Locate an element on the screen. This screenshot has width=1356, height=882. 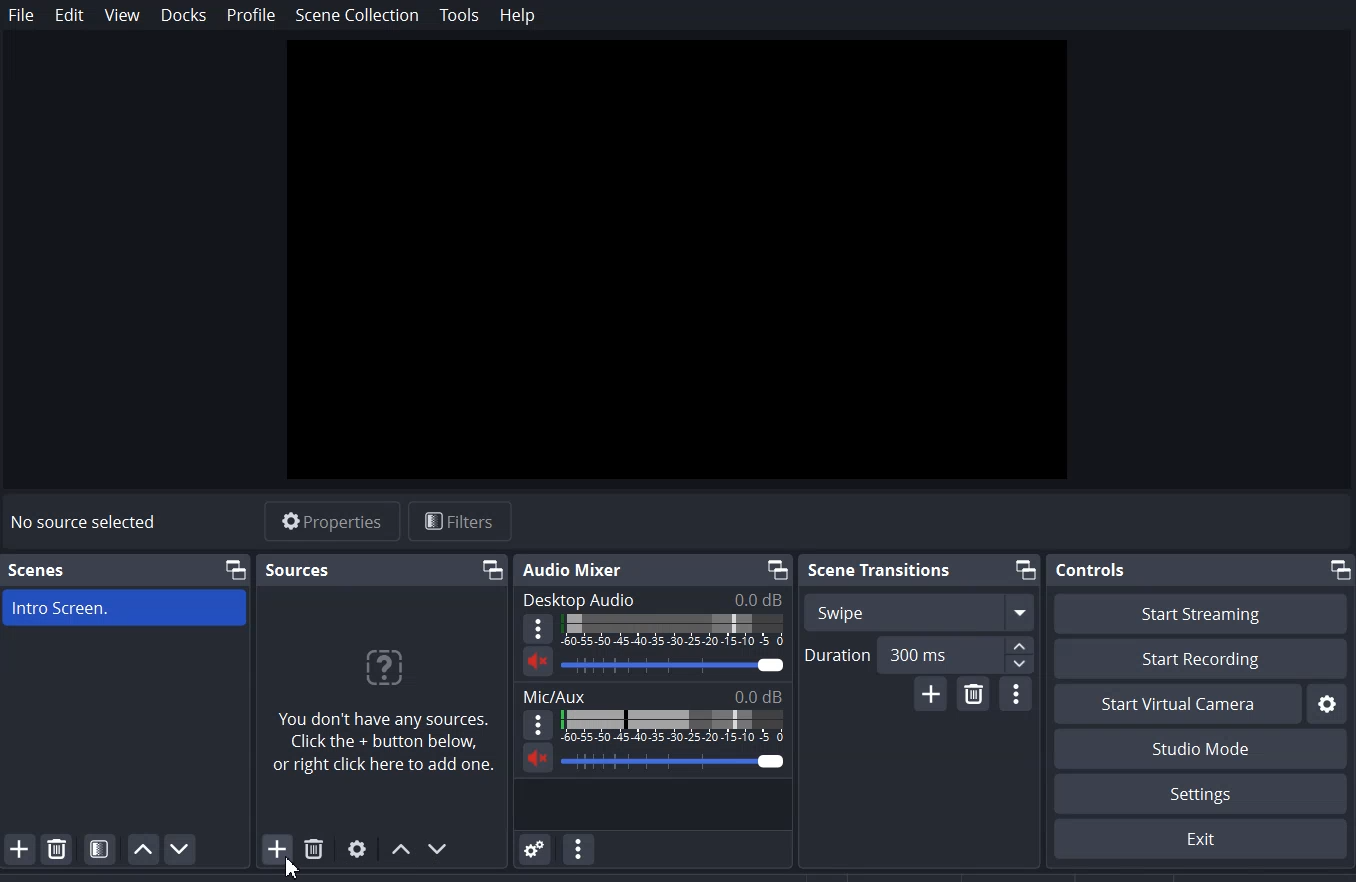
Source is located at coordinates (298, 569).